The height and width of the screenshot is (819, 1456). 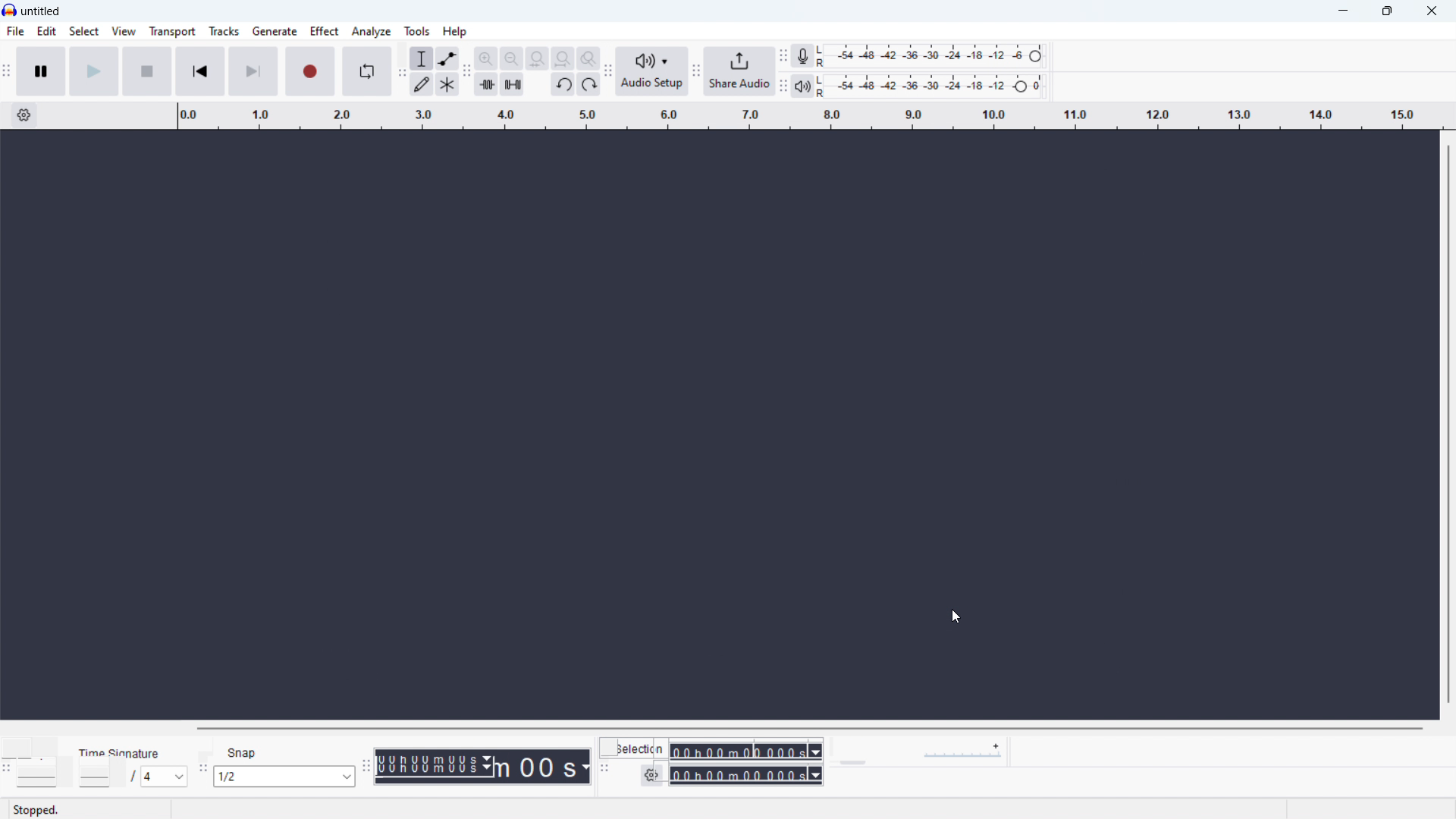 I want to click on silence audio selection, so click(x=513, y=84).